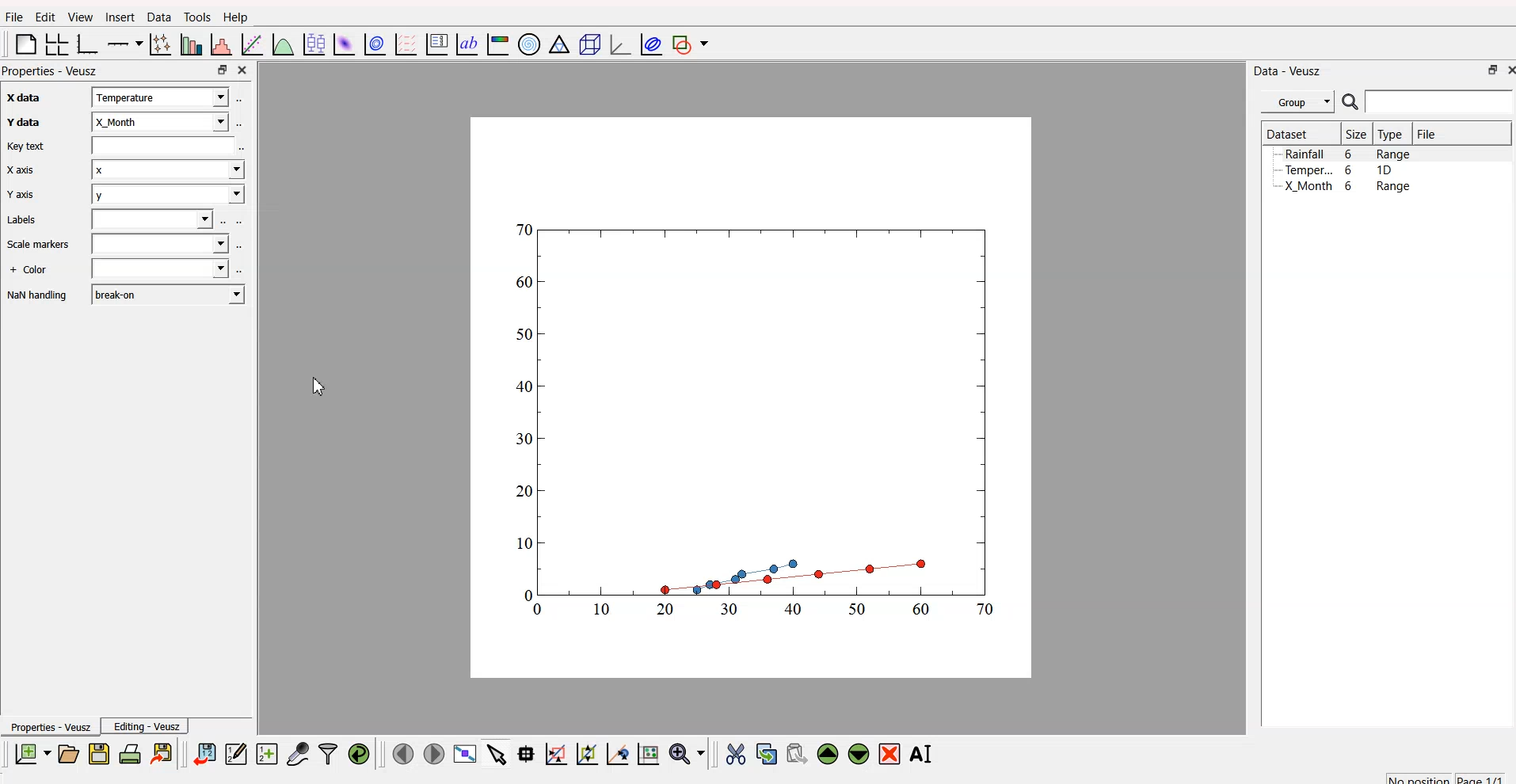  What do you see at coordinates (166, 119) in the screenshot?
I see `x_month` at bounding box center [166, 119].